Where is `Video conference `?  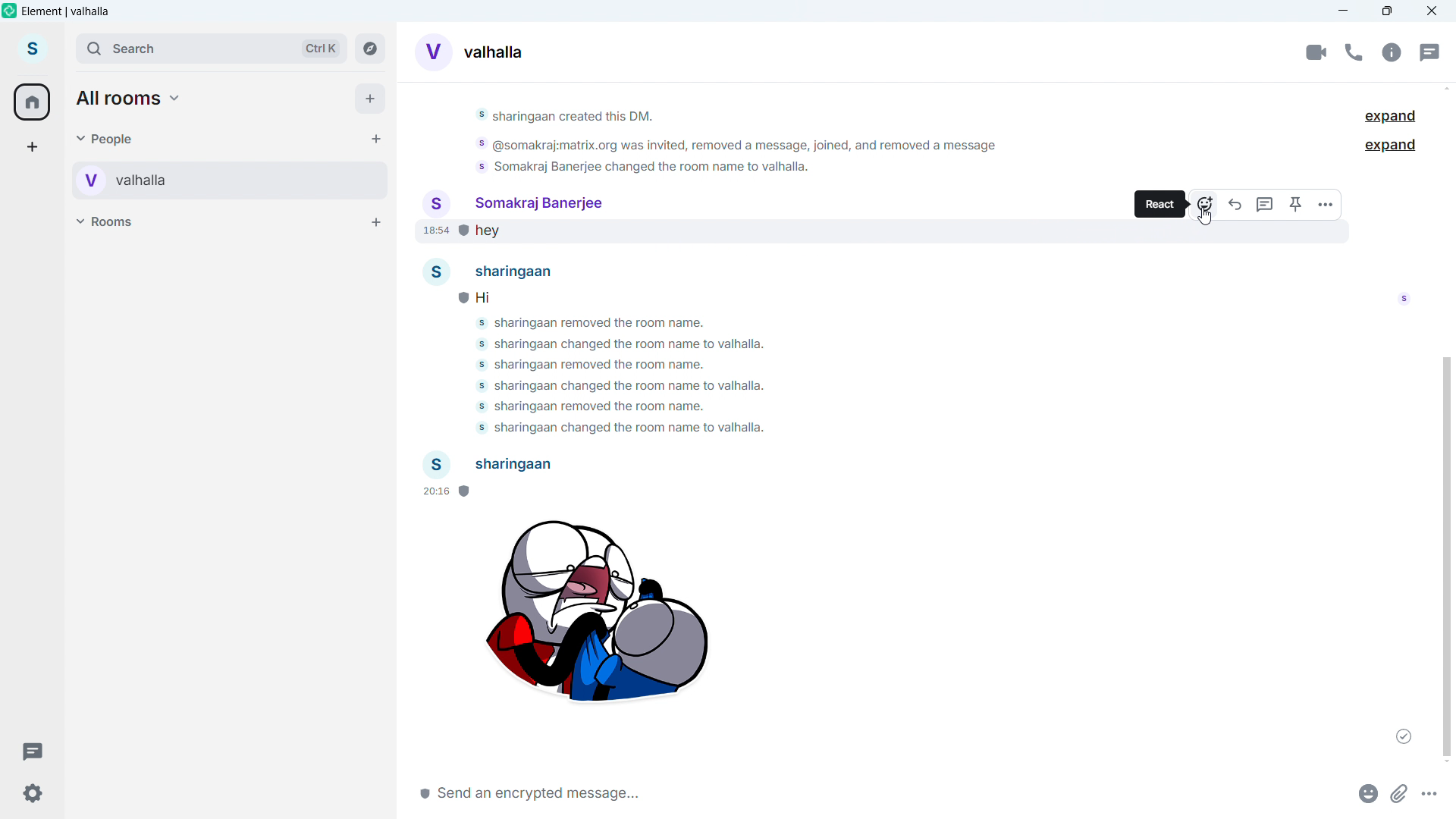
Video conference  is located at coordinates (1316, 52).